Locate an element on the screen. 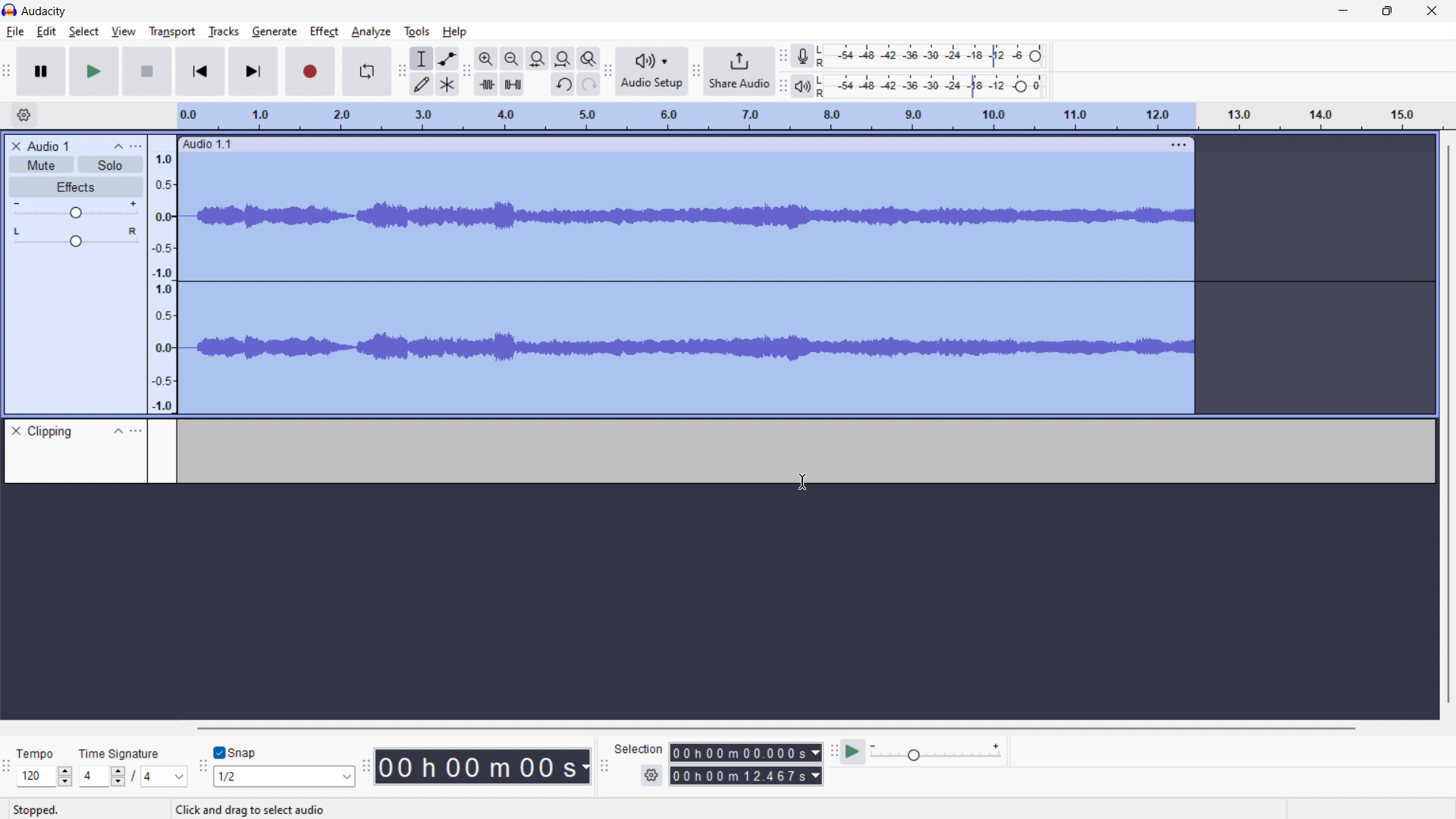 The image size is (1456, 819). record is located at coordinates (310, 72).